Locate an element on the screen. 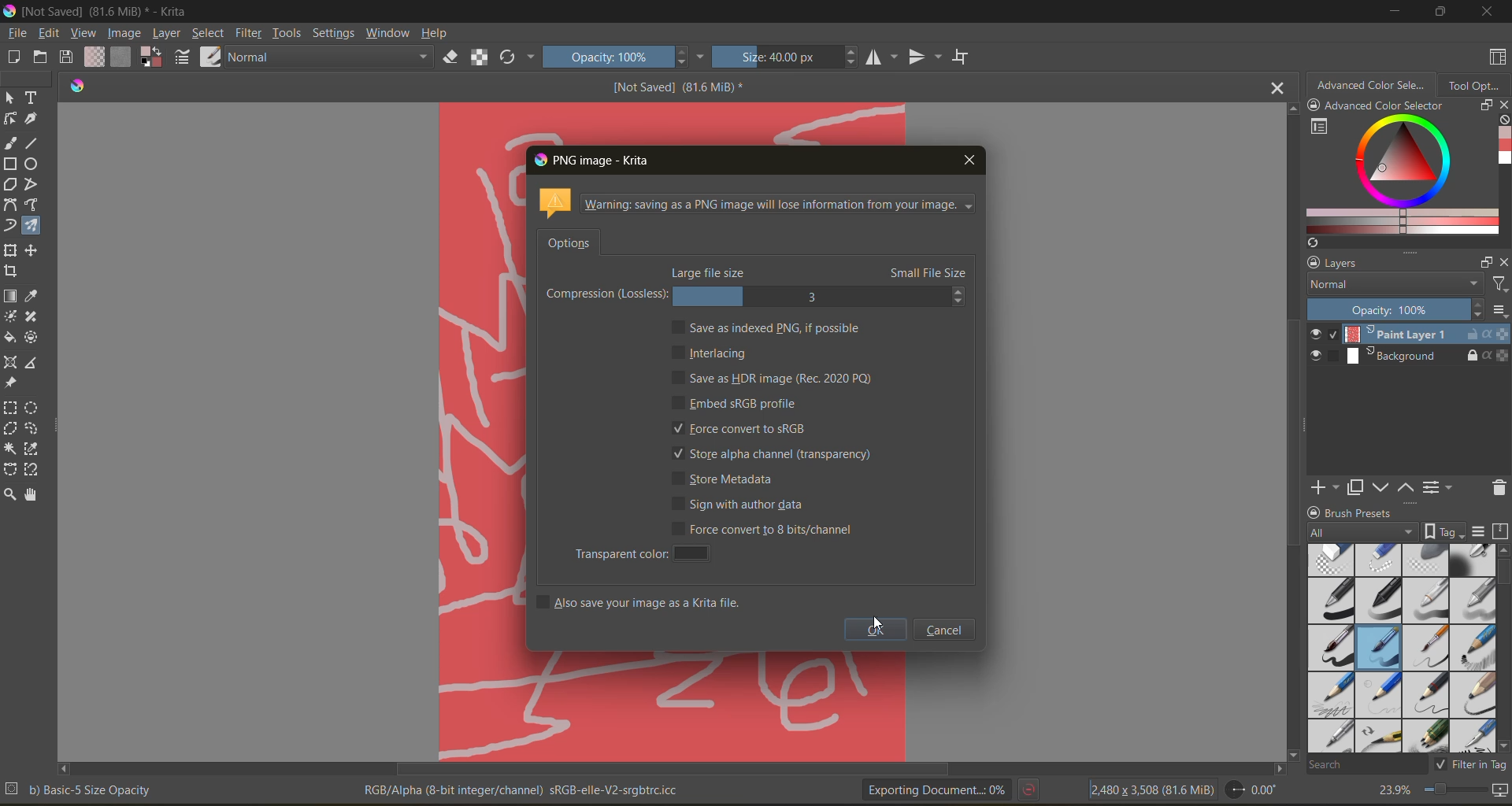  tool is located at coordinates (10, 184).